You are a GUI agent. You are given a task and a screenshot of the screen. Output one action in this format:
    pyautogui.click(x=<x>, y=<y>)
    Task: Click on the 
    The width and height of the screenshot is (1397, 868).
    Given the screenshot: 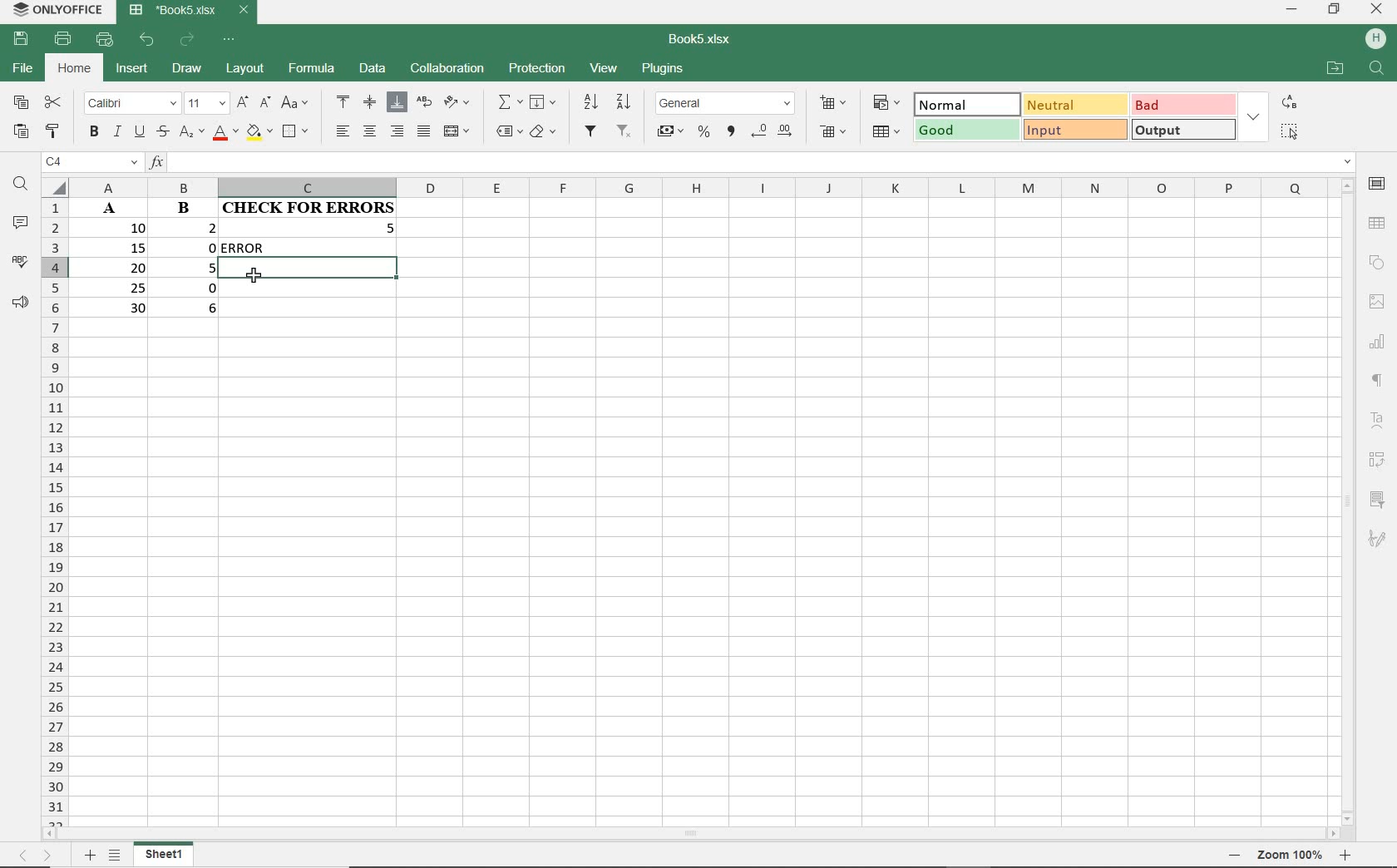 What is the action you would take?
    pyautogui.click(x=1379, y=301)
    